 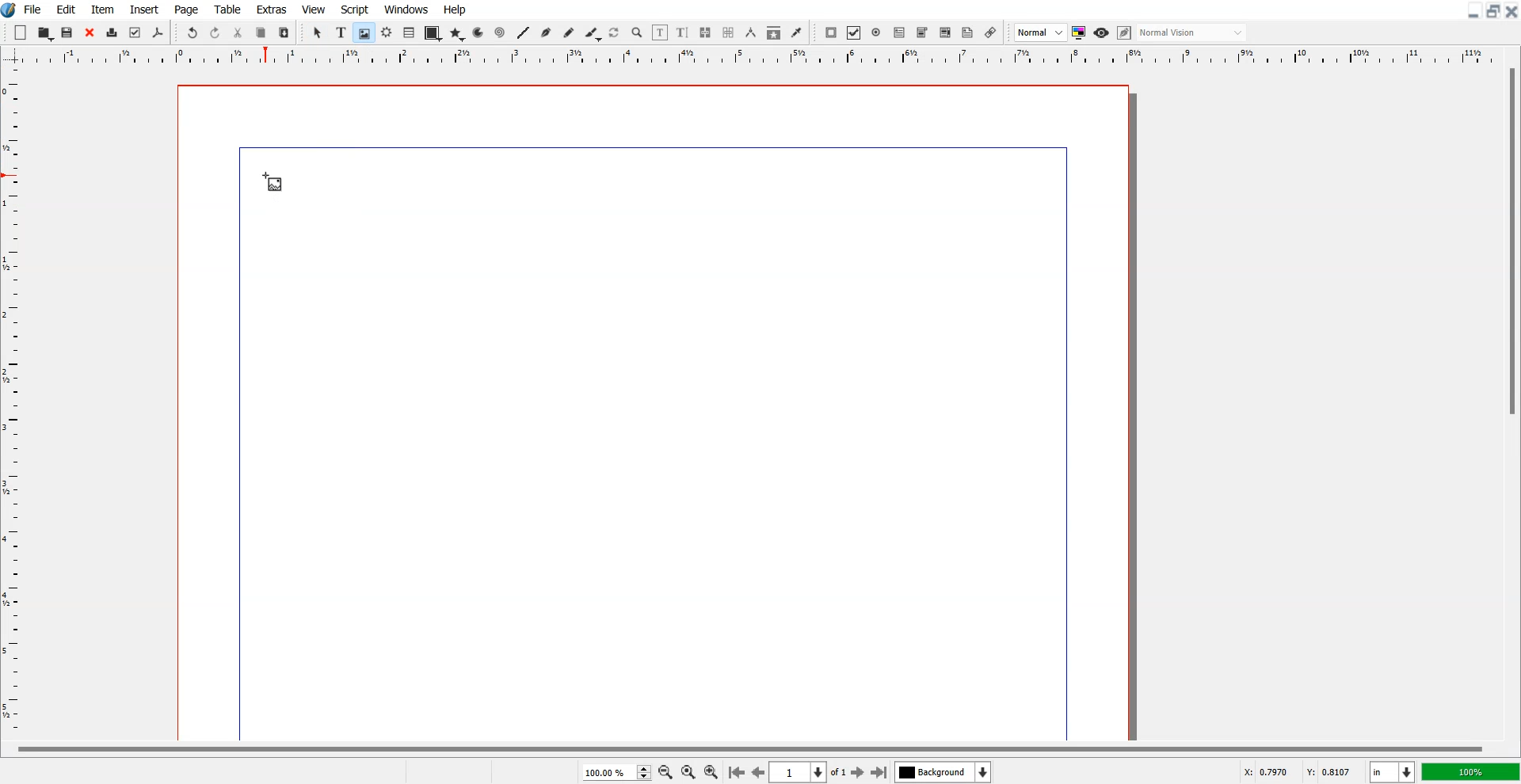 What do you see at coordinates (1393, 771) in the screenshot?
I see `Measurement in inches` at bounding box center [1393, 771].